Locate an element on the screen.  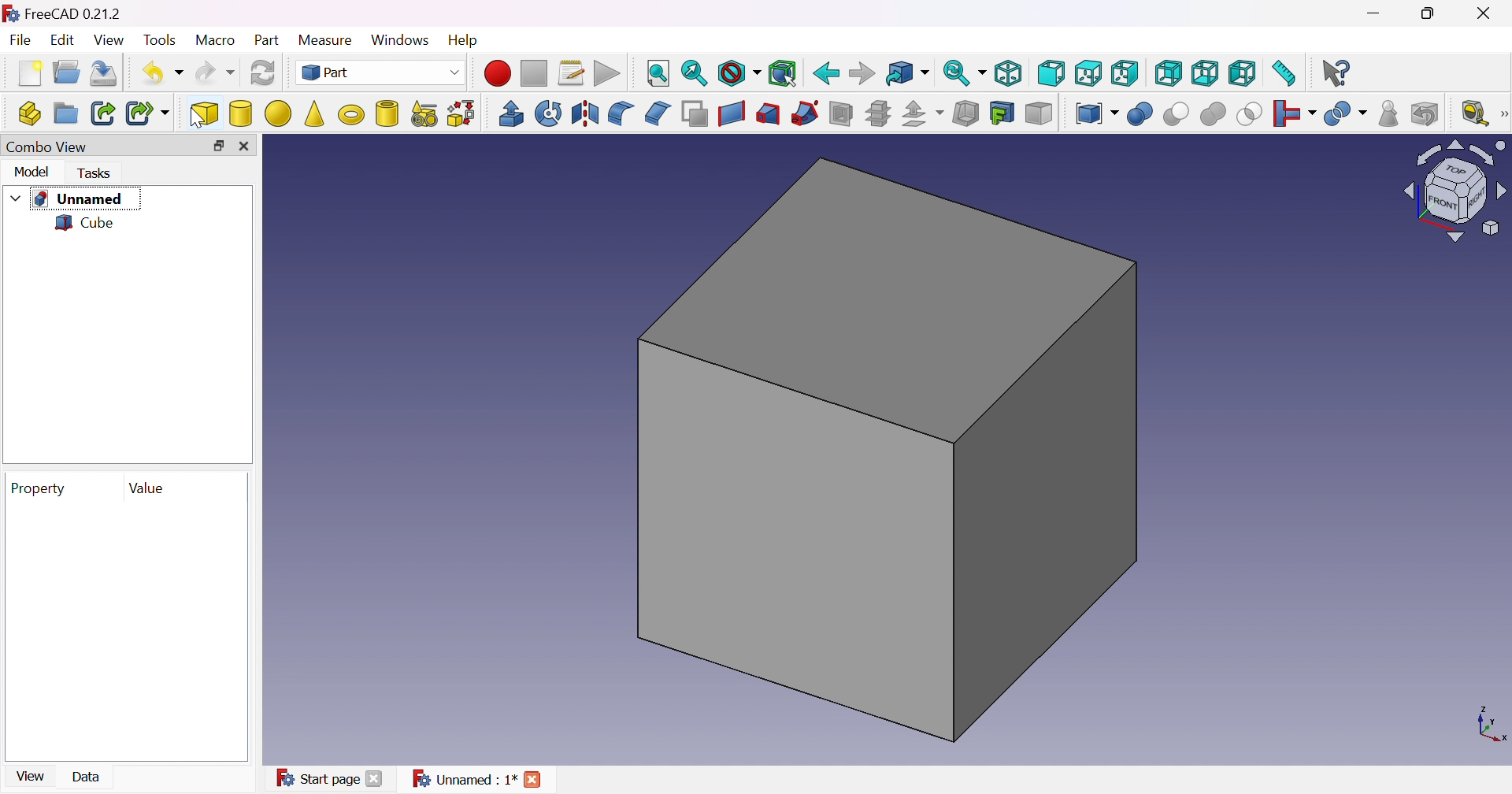
Split objects is located at coordinates (1344, 113).